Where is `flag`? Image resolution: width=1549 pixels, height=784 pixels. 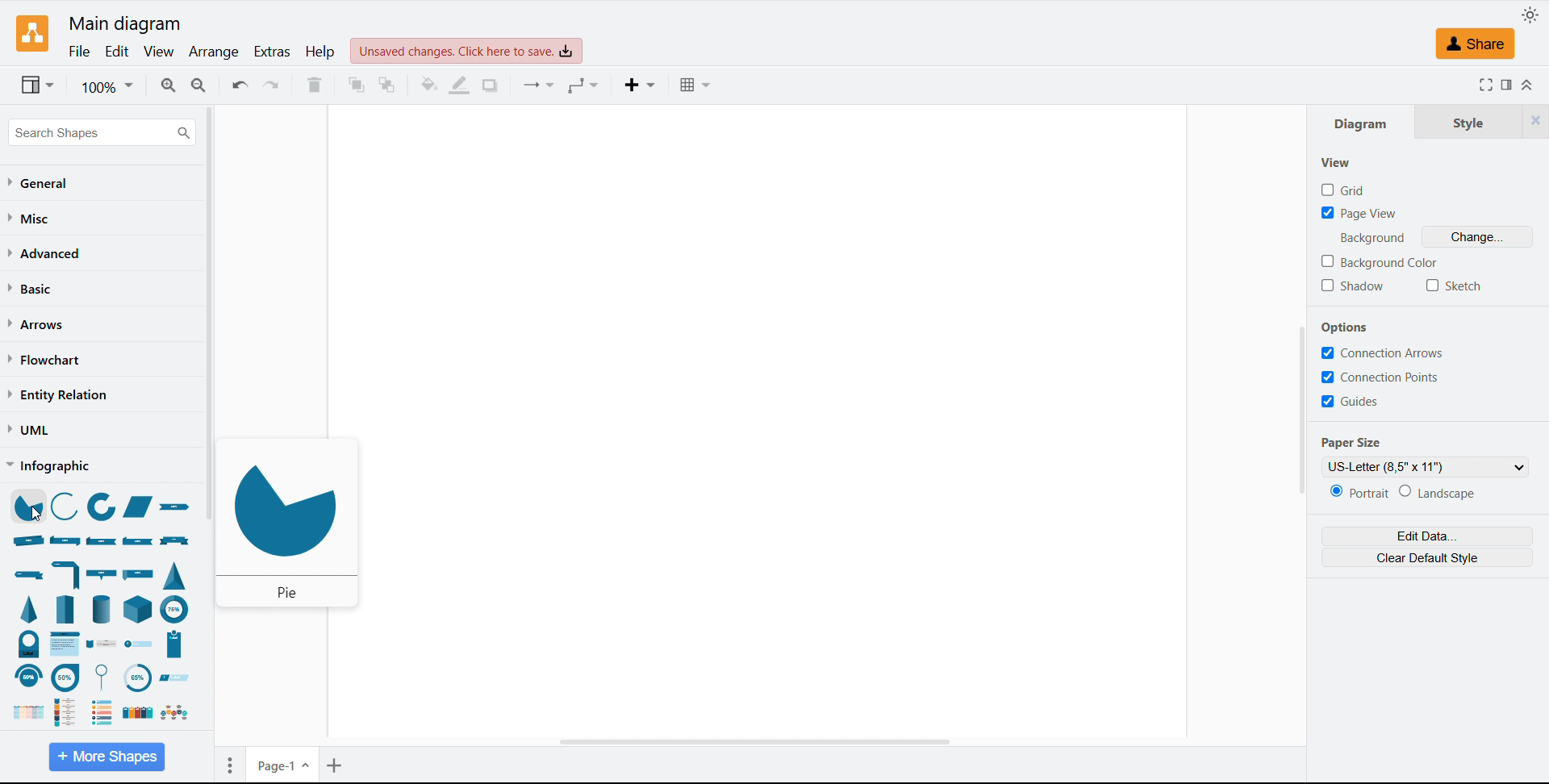 flag is located at coordinates (136, 575).